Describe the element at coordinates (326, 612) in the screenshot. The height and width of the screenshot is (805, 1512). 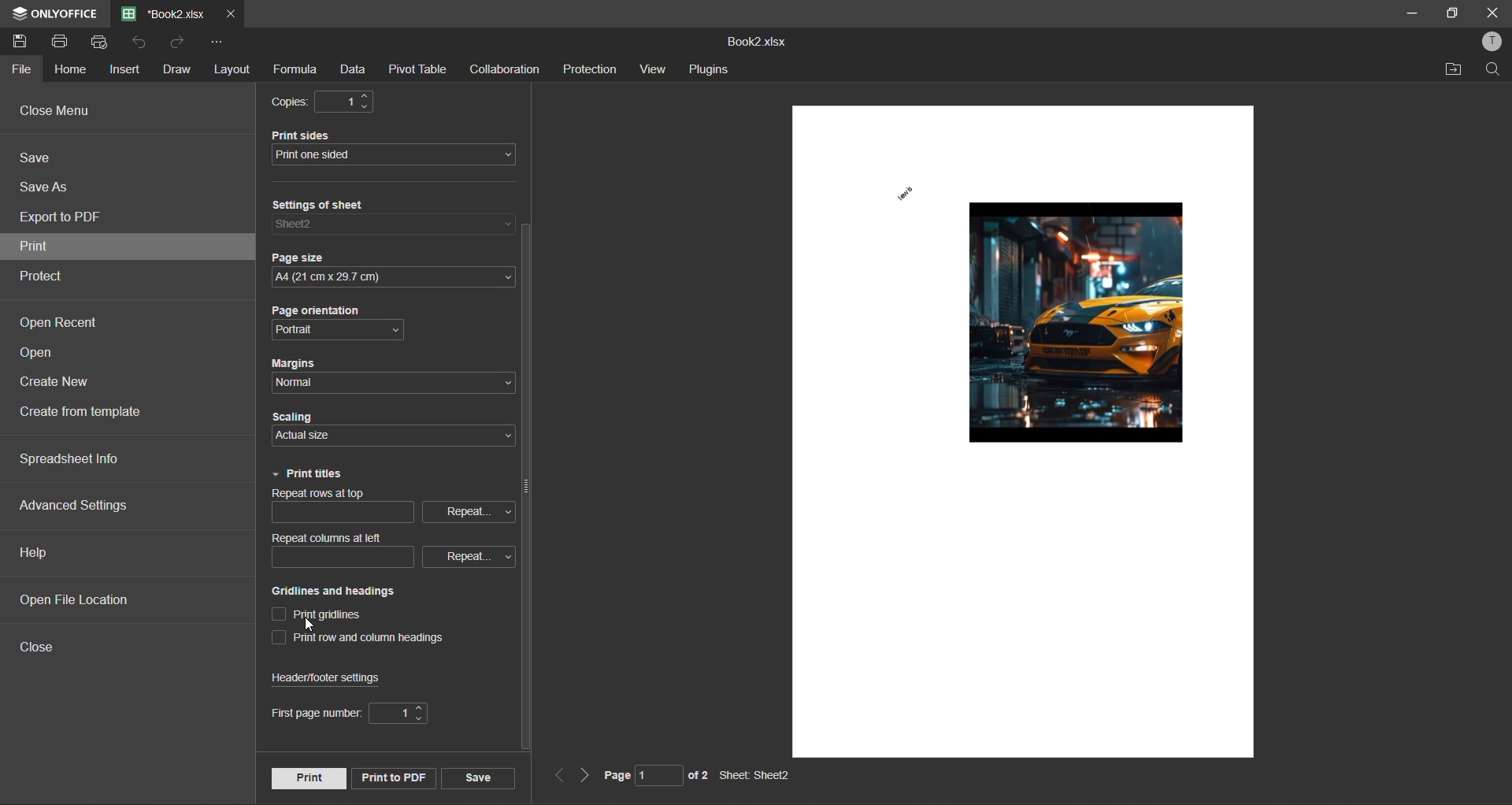
I see `print gridlines` at that location.